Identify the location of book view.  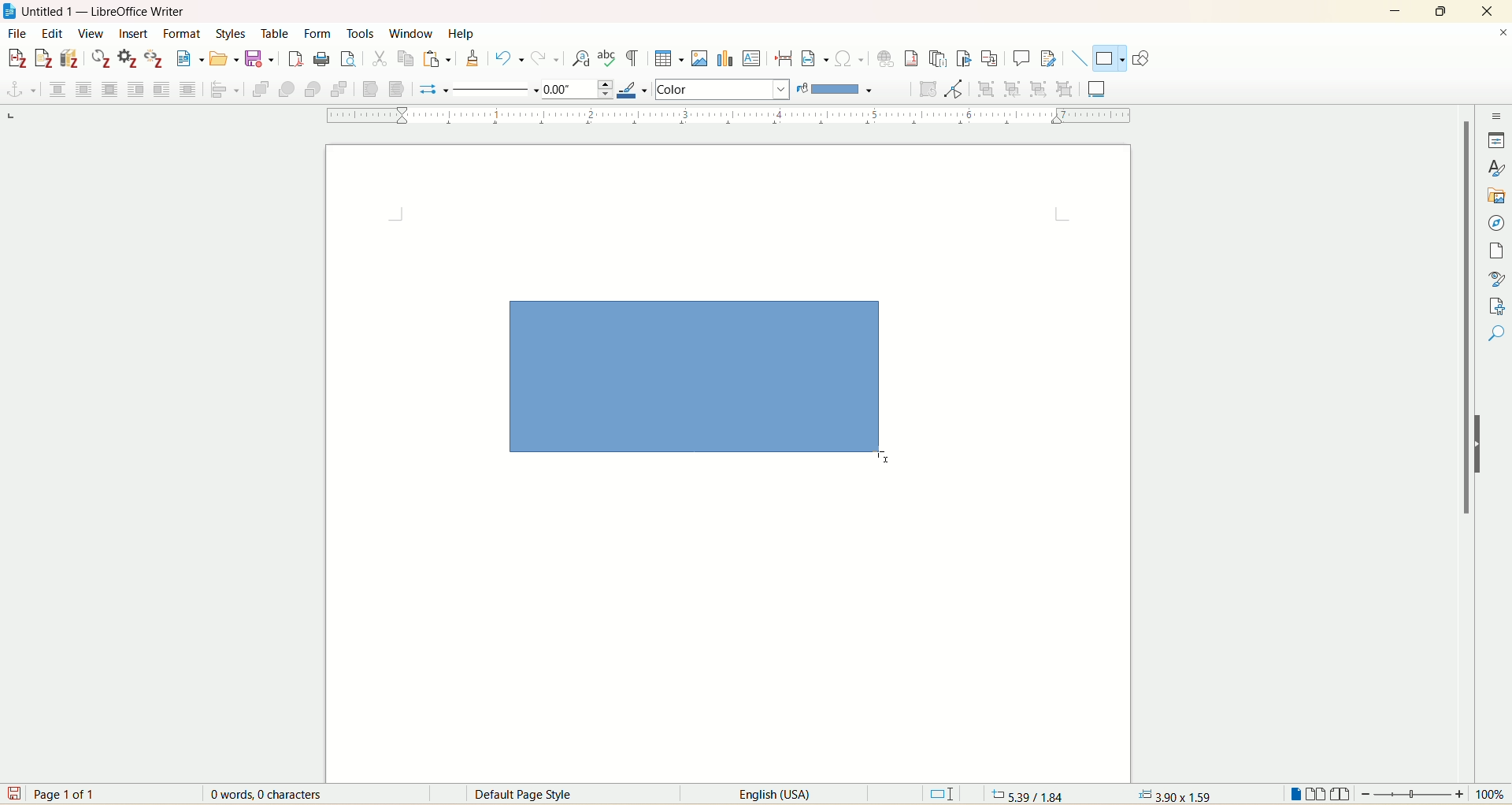
(1340, 794).